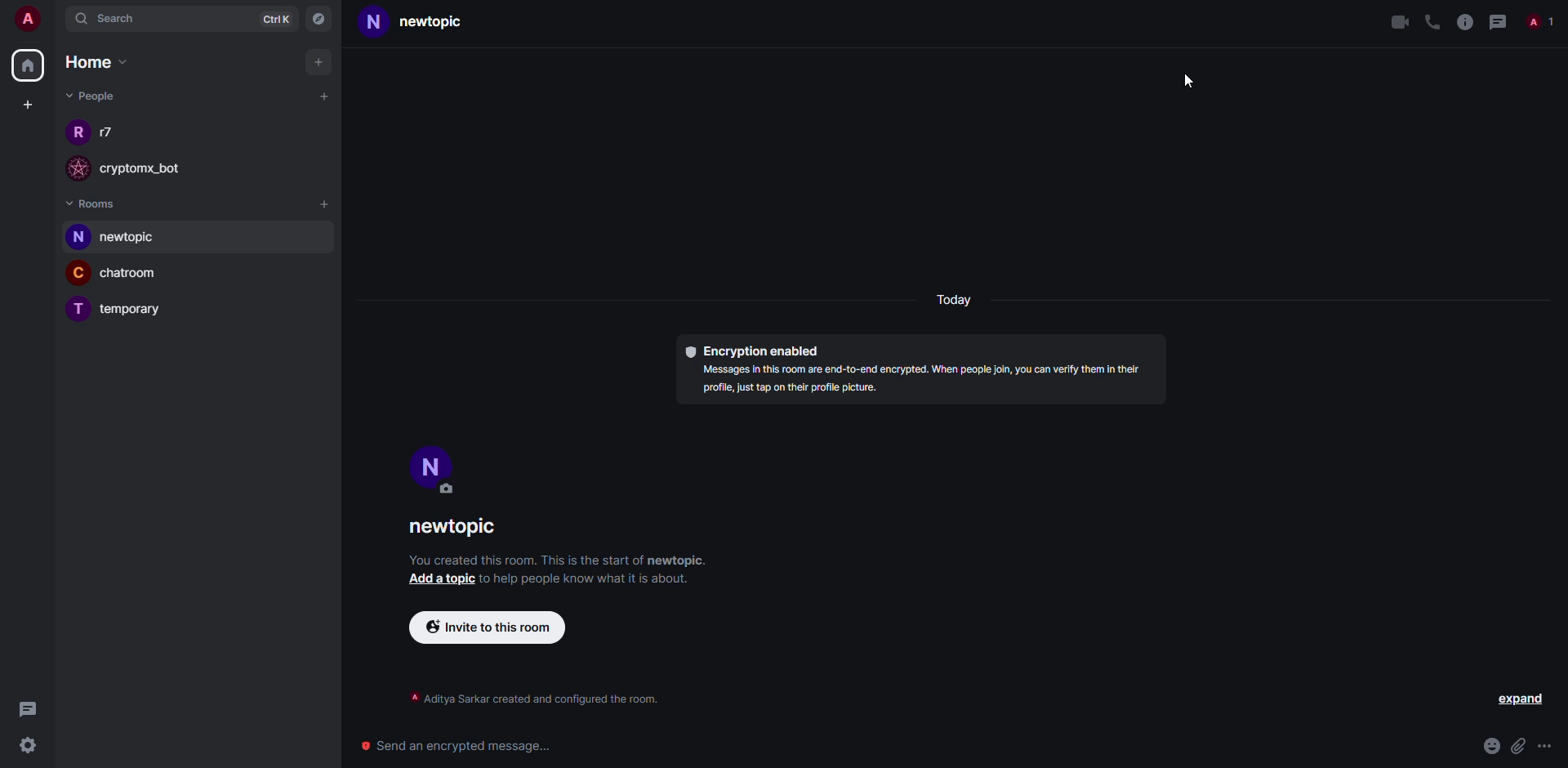 This screenshot has height=768, width=1568. Describe the element at coordinates (590, 578) in the screenshot. I see `info` at that location.